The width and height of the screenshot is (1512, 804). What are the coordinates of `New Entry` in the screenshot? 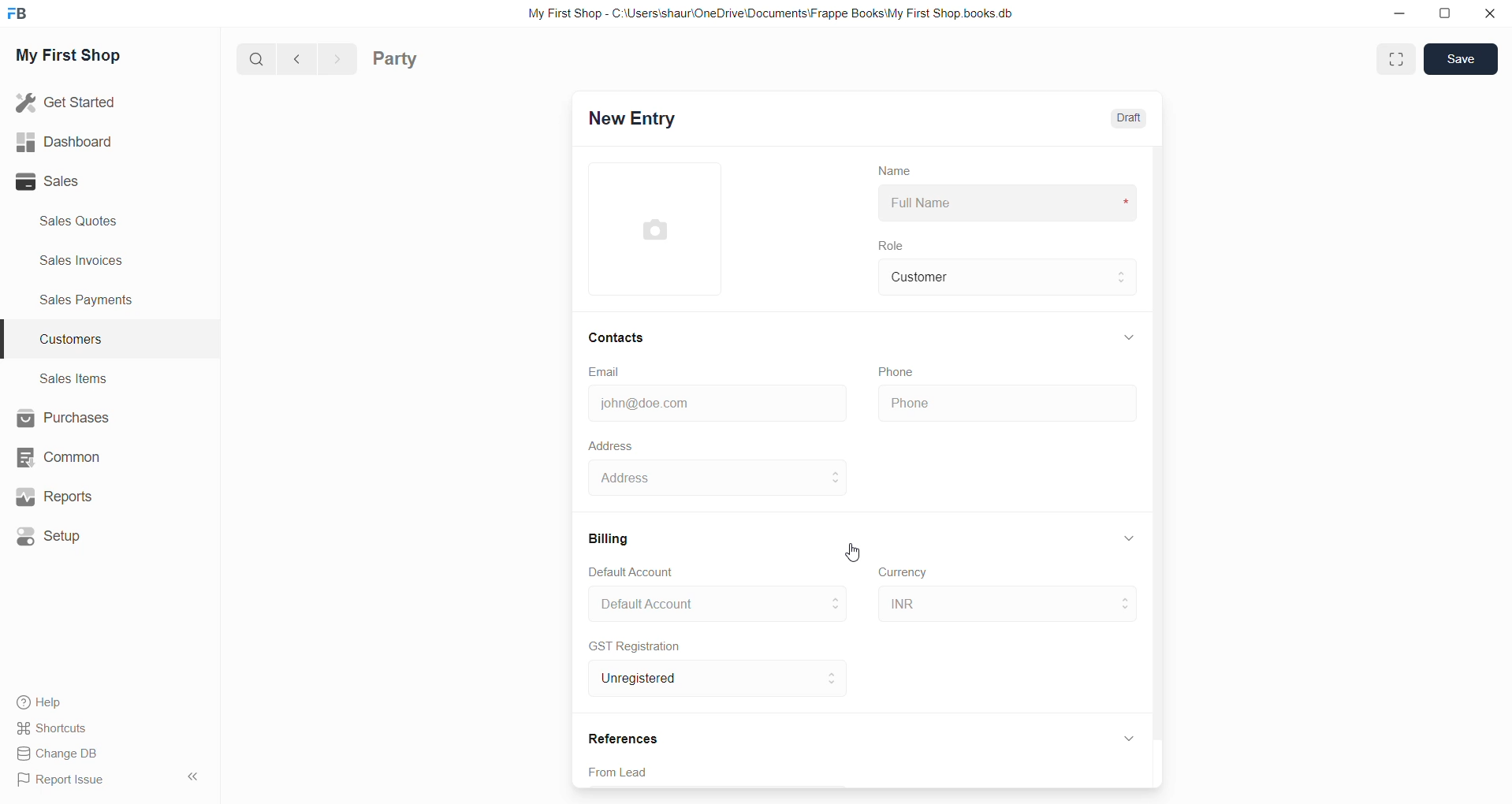 It's located at (648, 120).